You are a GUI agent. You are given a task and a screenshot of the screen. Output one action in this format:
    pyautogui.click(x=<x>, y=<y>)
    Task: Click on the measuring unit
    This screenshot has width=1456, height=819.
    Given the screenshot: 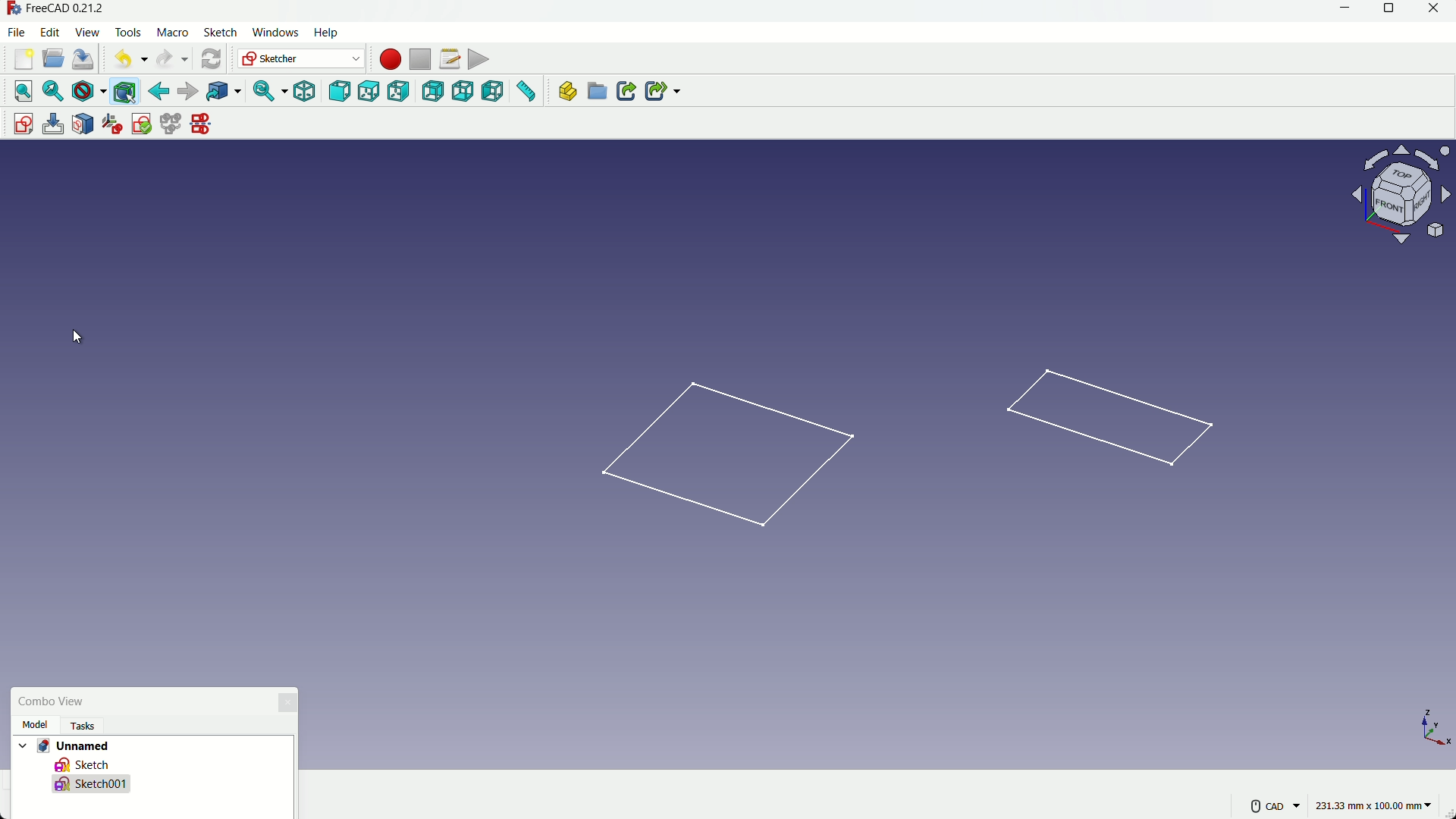 What is the action you would take?
    pyautogui.click(x=1376, y=806)
    